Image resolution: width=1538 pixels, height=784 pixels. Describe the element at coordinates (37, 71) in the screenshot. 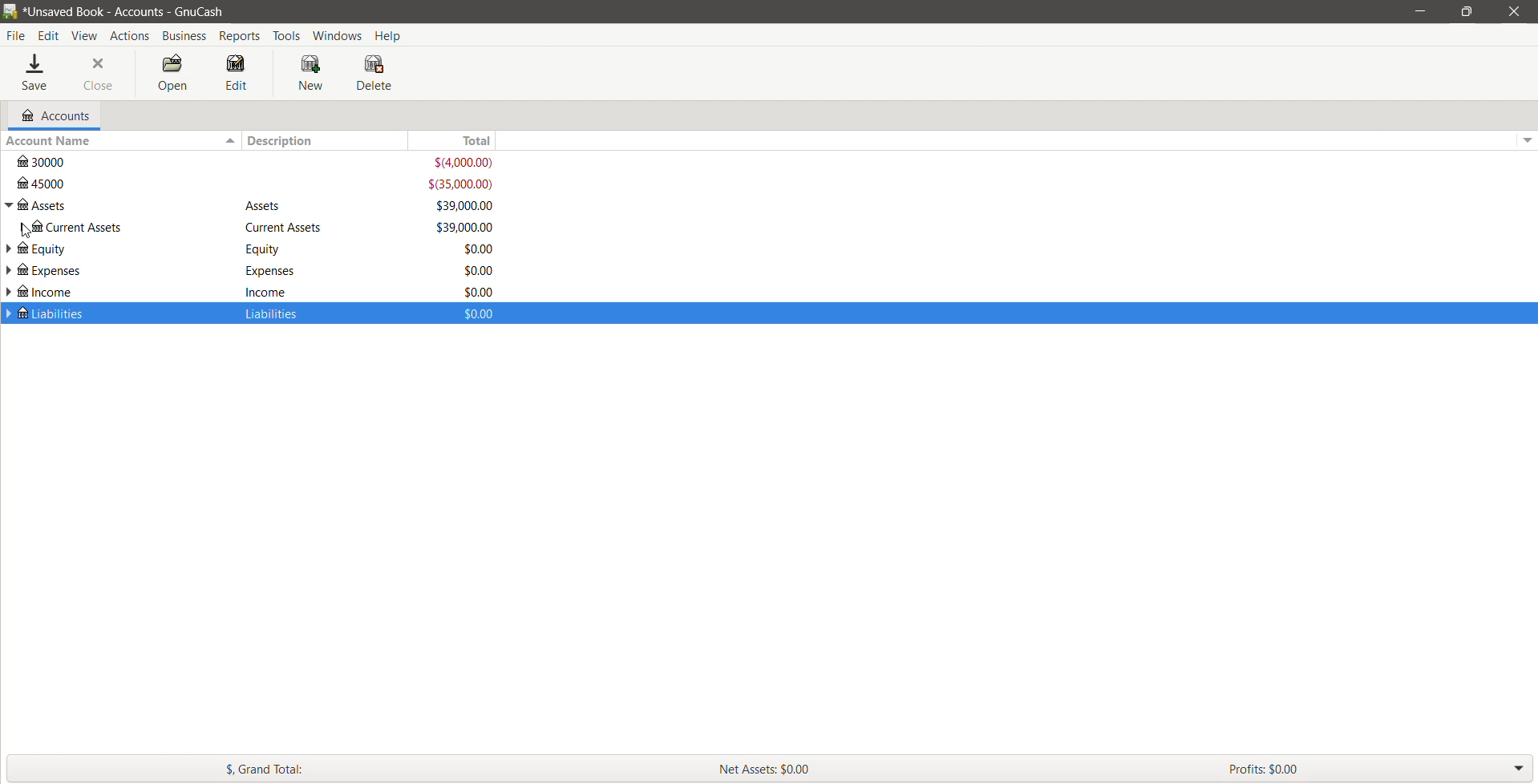

I see `Save` at that location.